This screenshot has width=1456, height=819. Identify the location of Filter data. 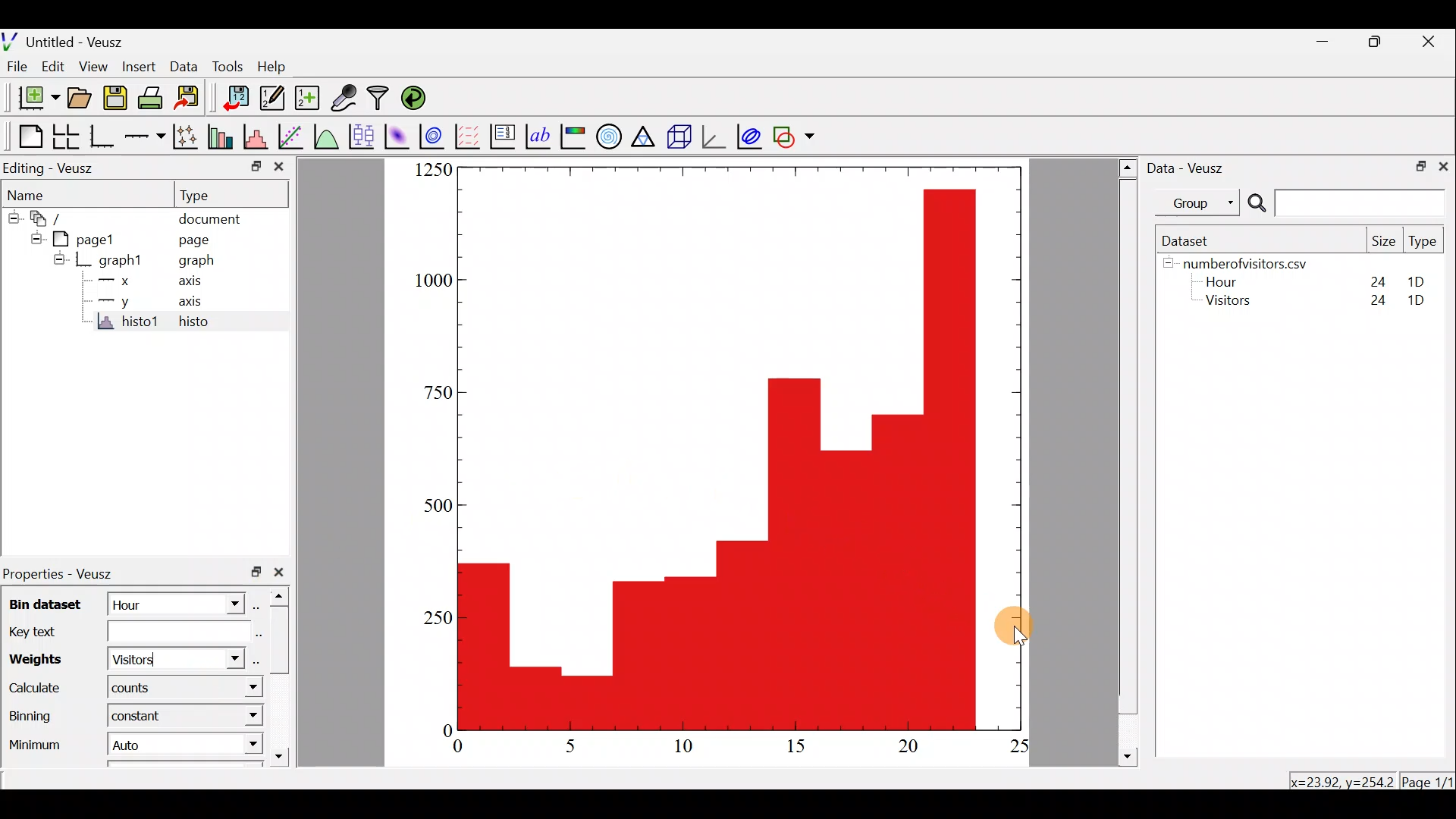
(378, 97).